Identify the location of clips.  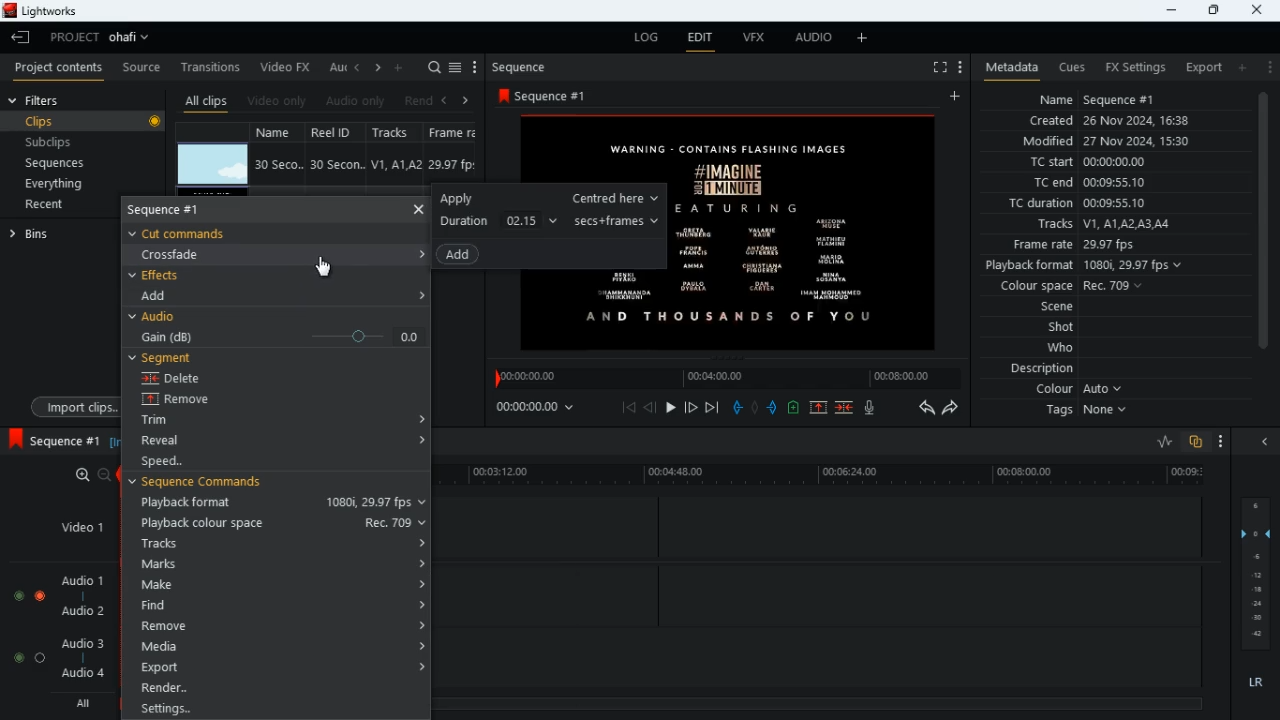
(86, 122).